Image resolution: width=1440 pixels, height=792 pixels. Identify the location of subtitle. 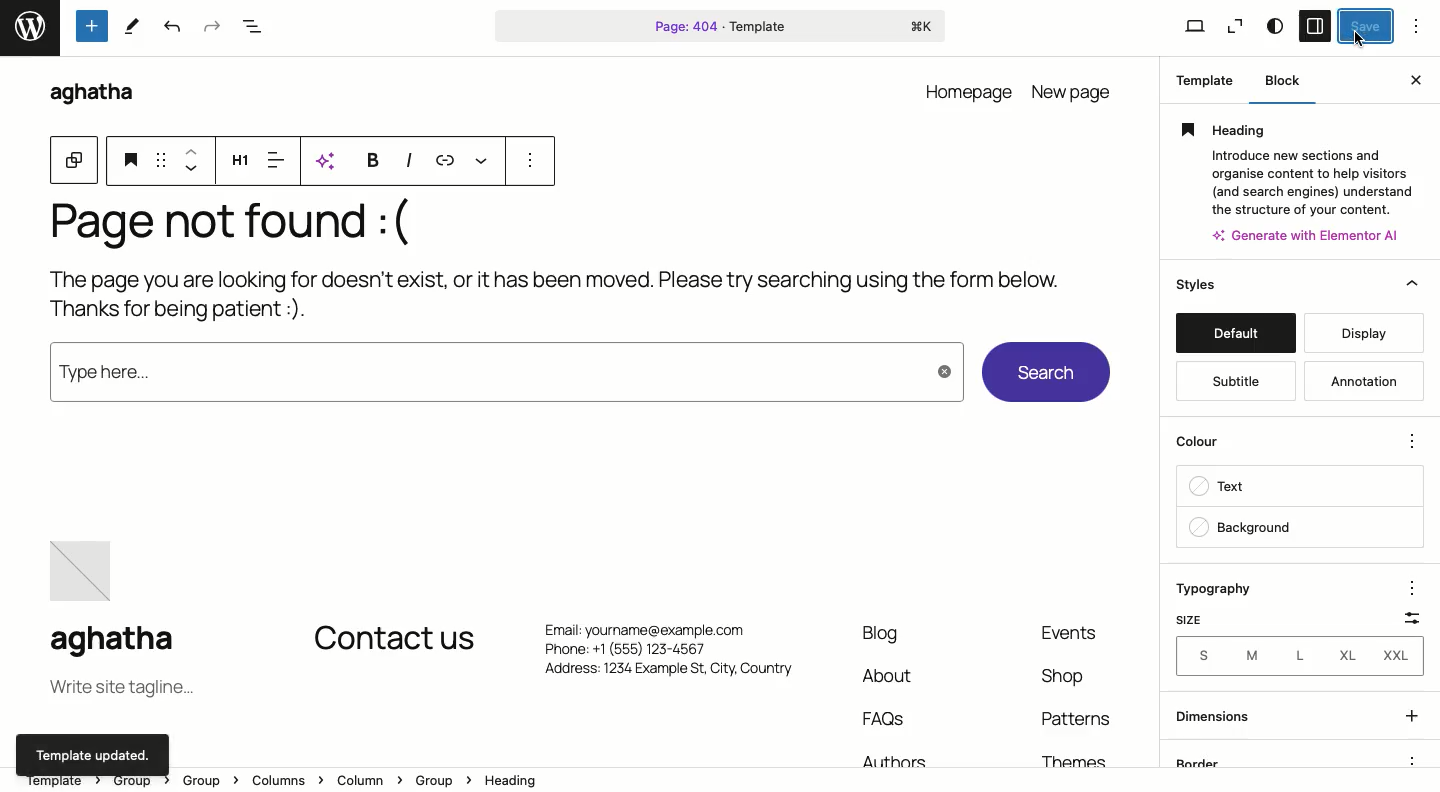
(1225, 377).